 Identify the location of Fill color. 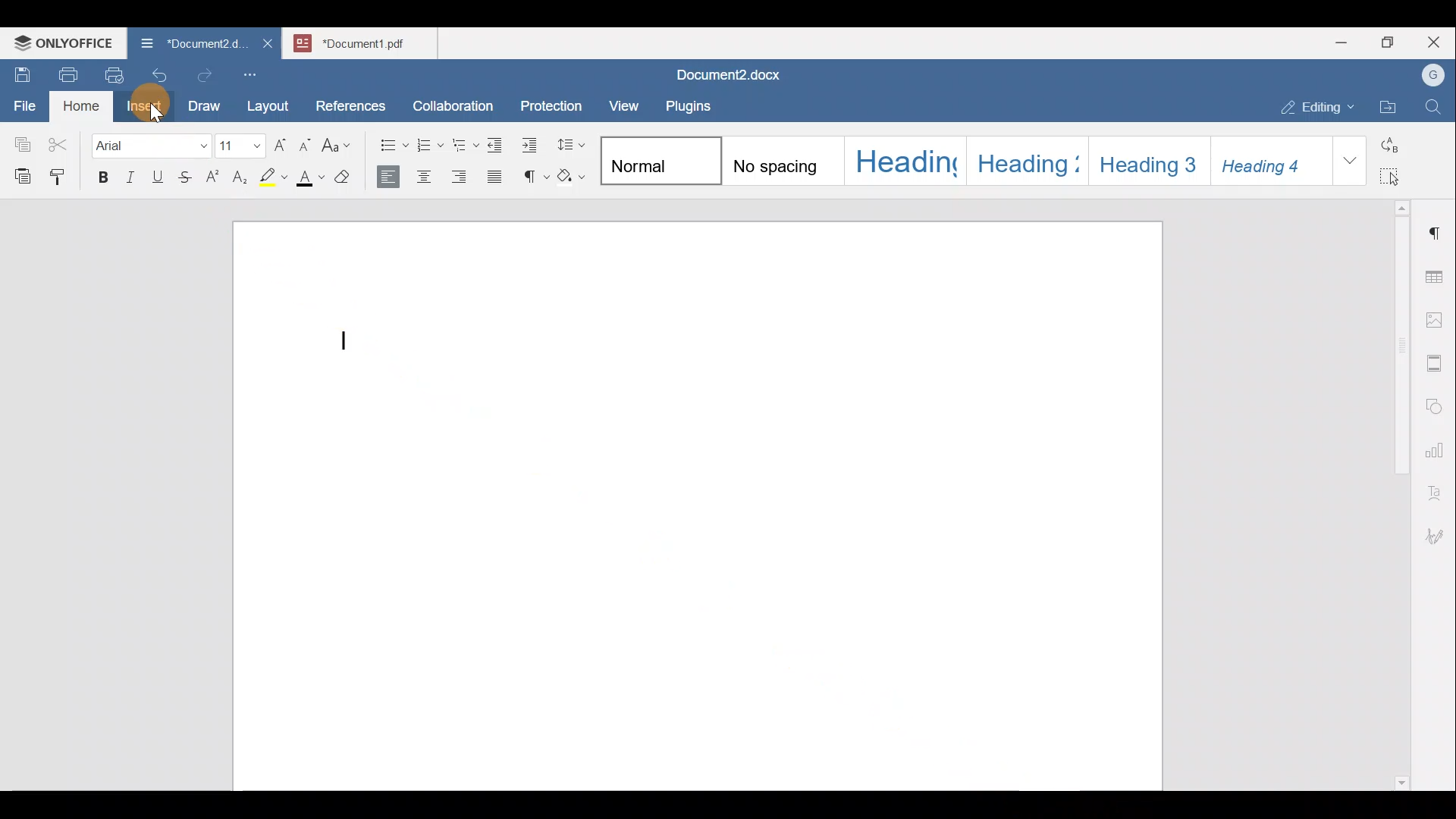
(310, 178).